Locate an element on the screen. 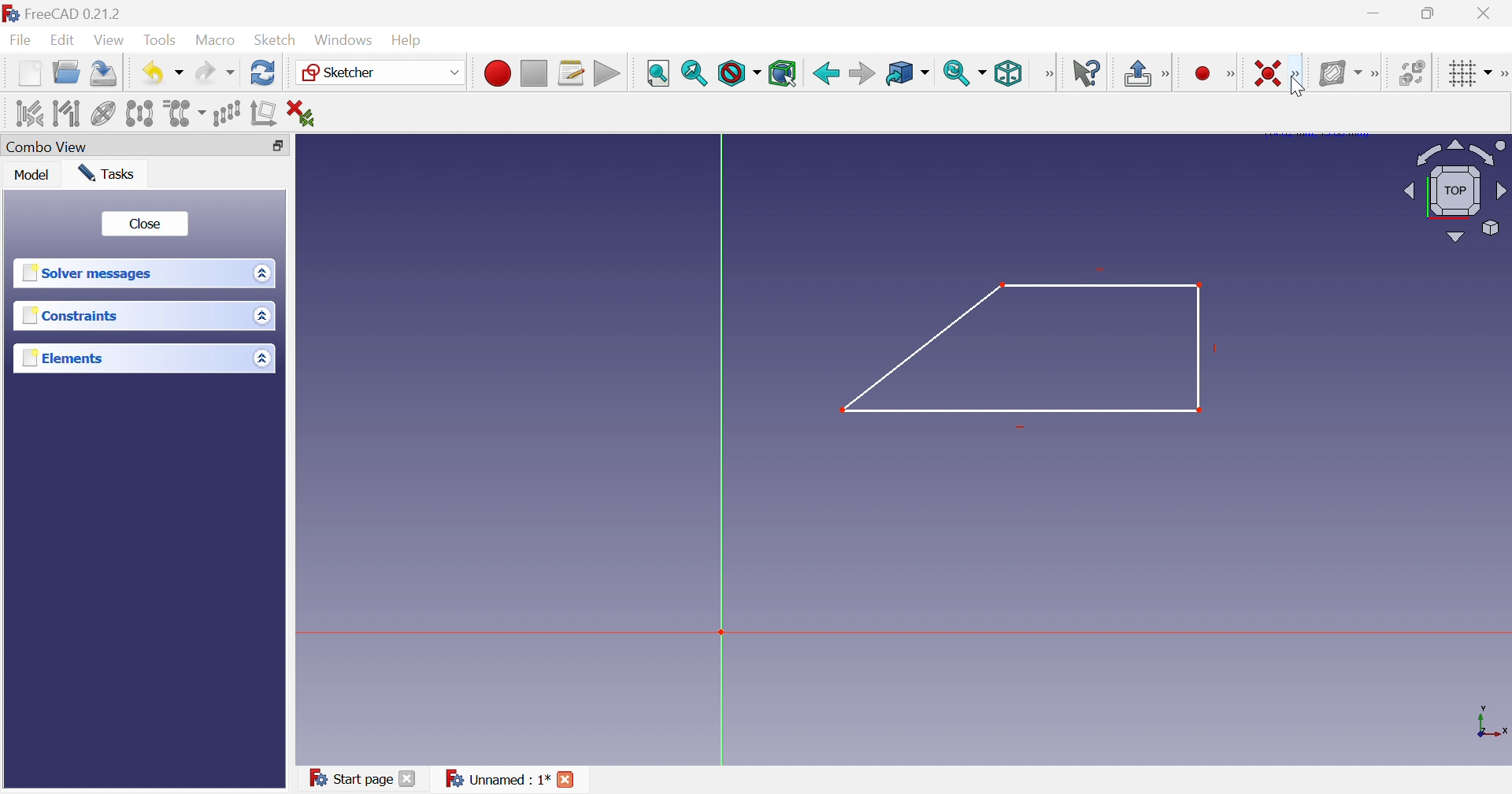  Tasks is located at coordinates (110, 173).